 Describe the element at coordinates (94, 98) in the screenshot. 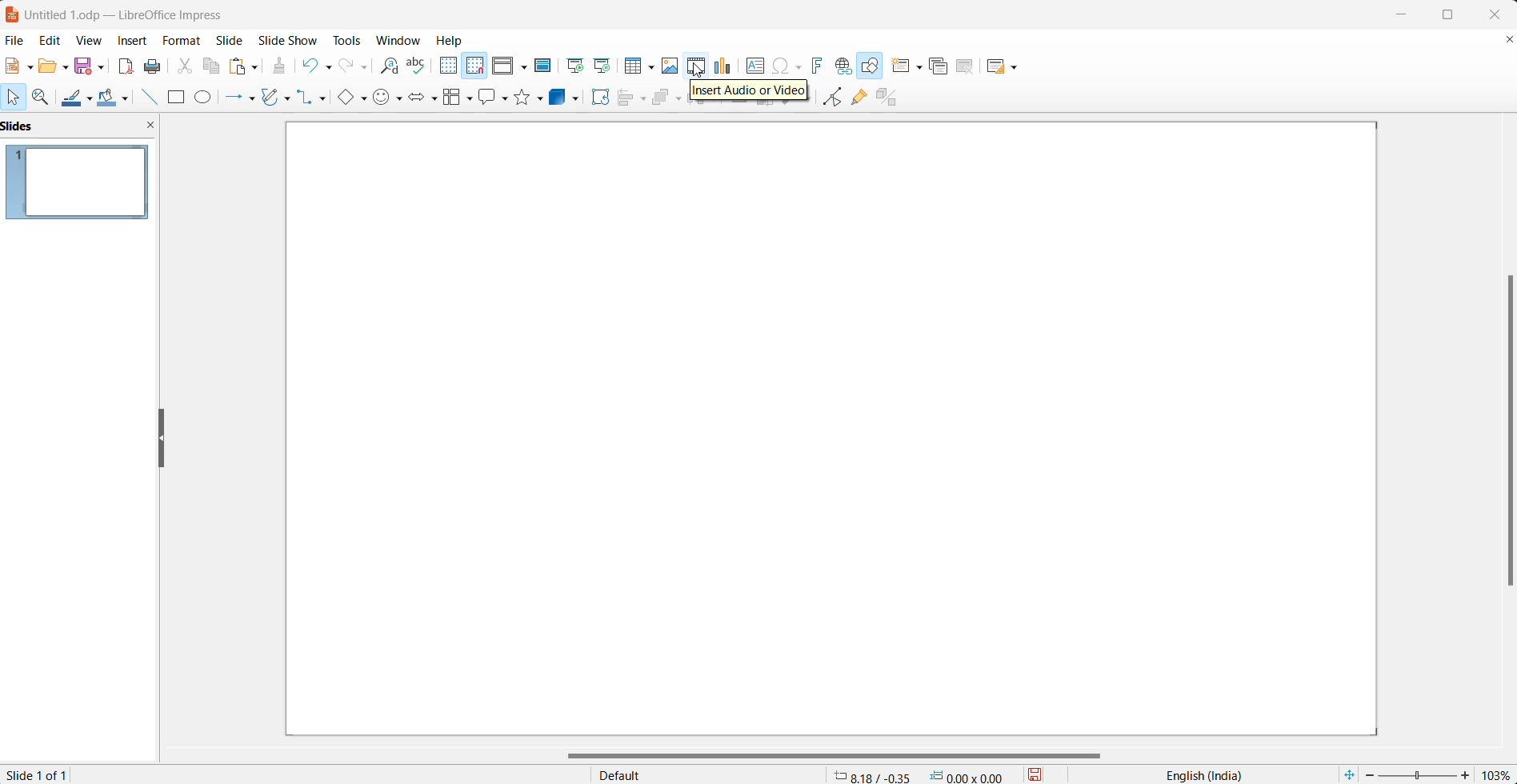

I see `line color options dropdown button` at that location.